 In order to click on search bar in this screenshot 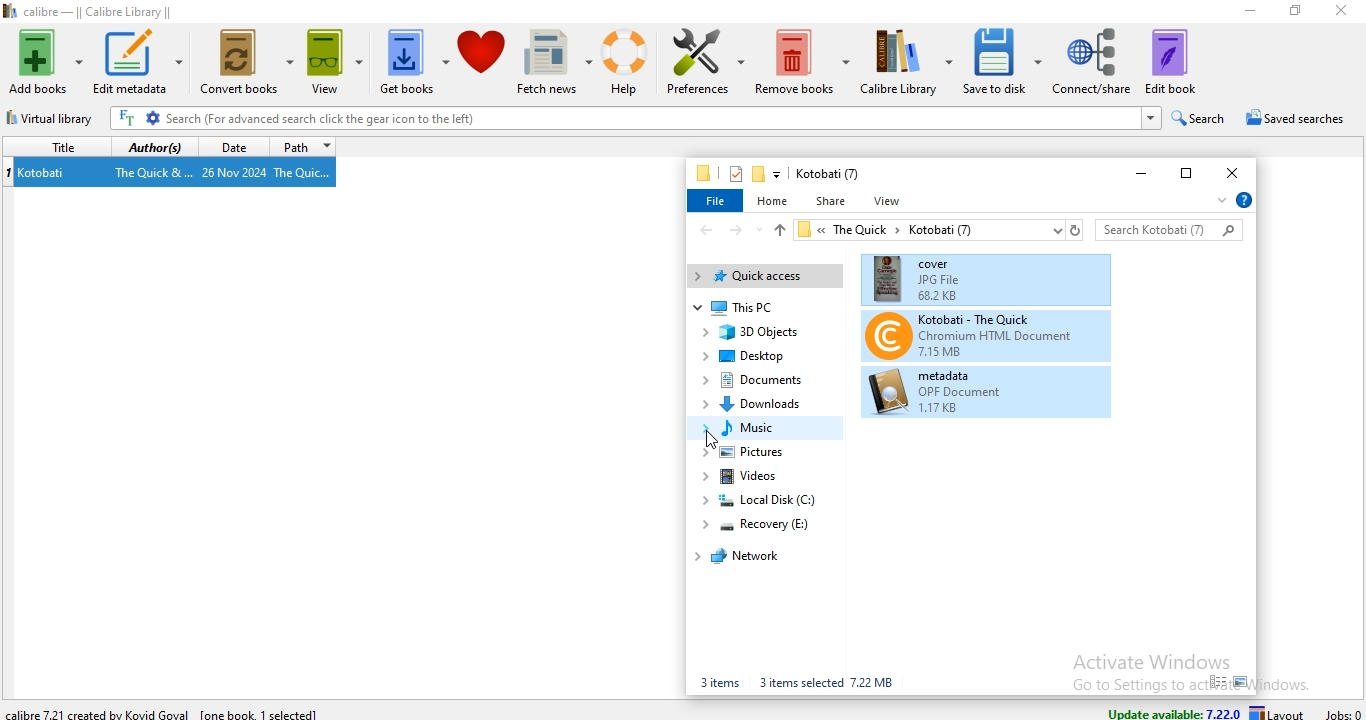, I will do `click(1169, 228)`.